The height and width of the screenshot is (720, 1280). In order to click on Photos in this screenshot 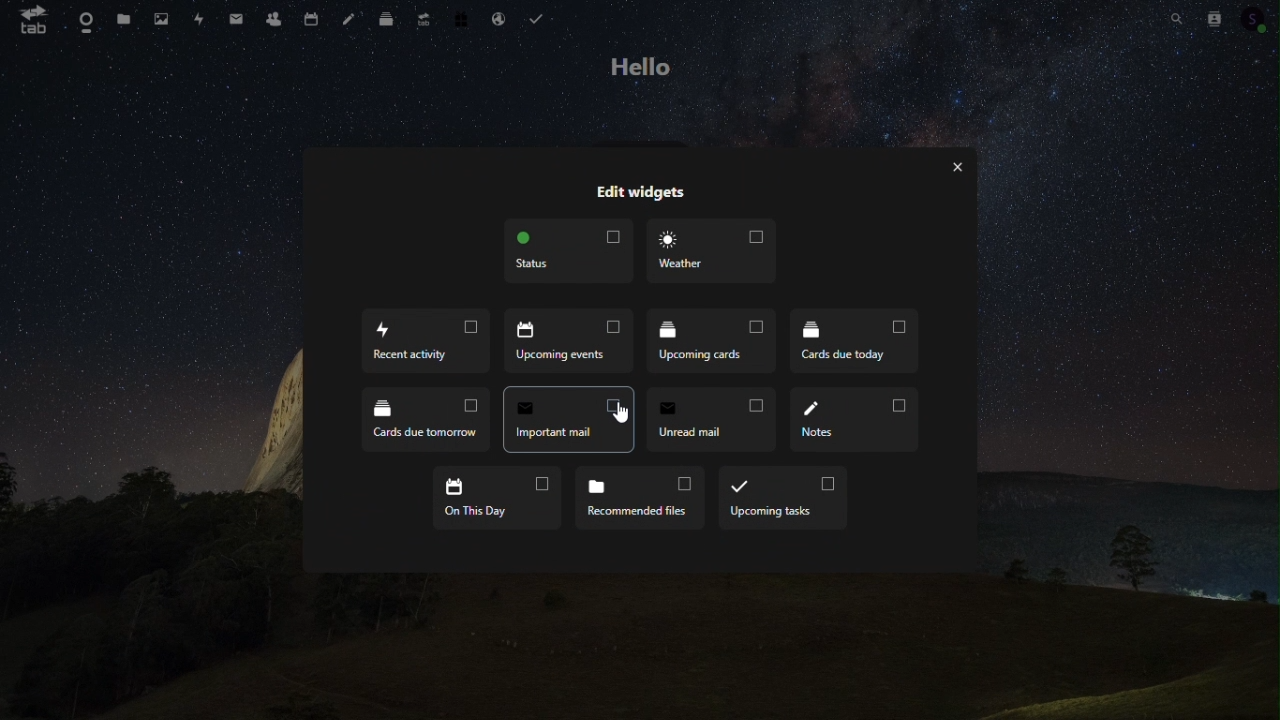, I will do `click(160, 18)`.